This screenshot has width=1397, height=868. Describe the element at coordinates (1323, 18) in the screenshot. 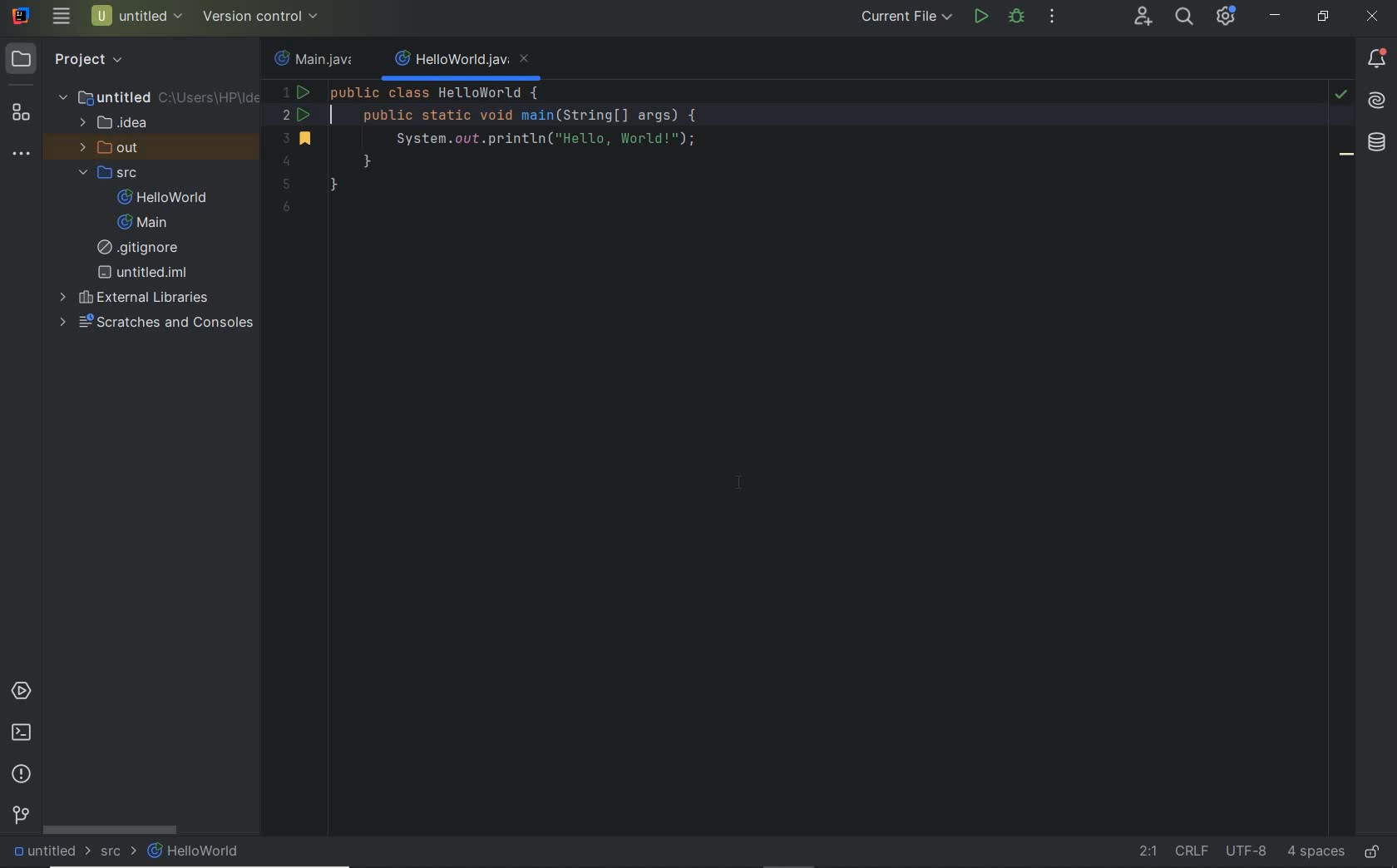

I see `restore down` at that location.